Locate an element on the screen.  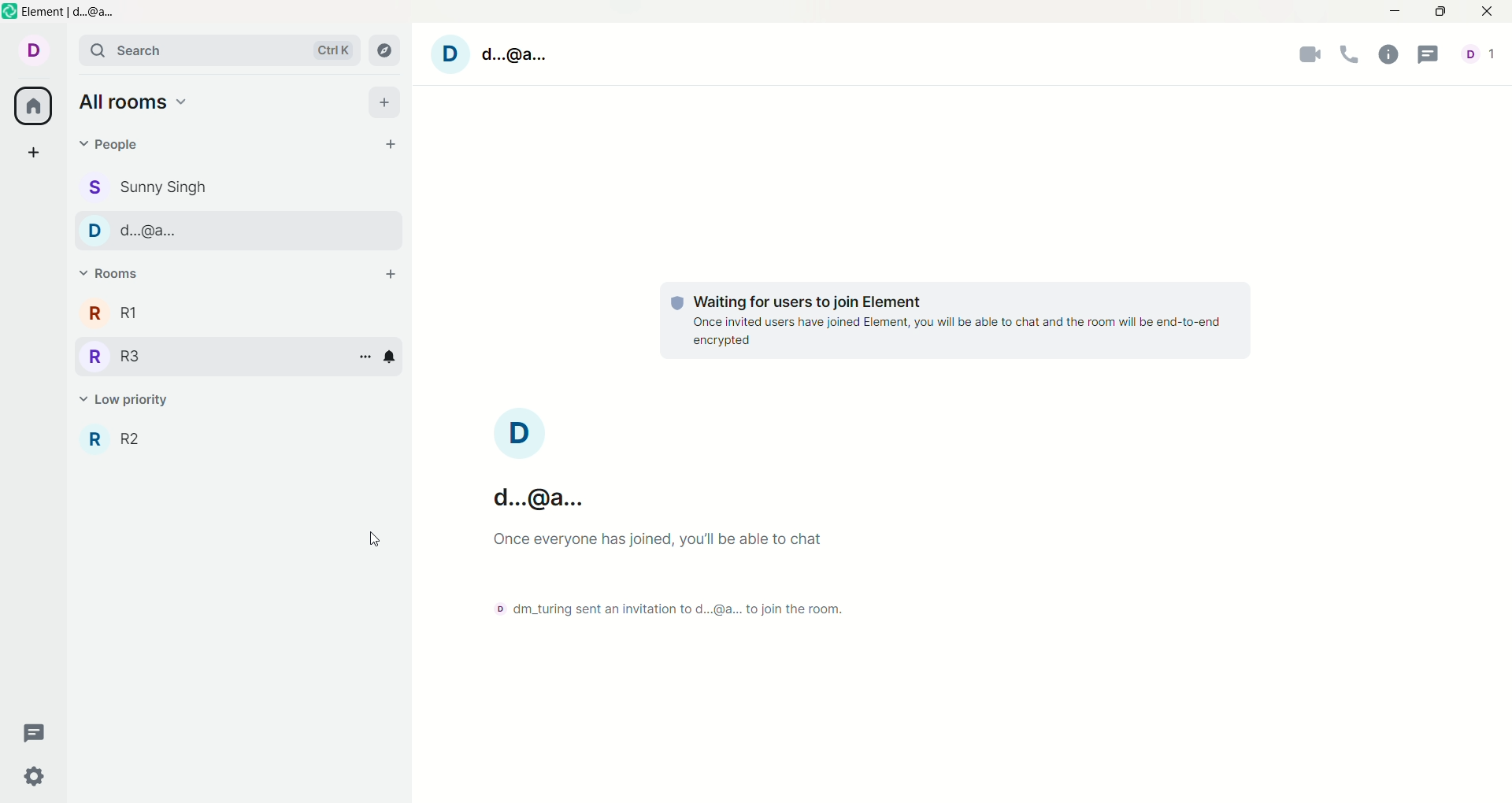
start chat is located at coordinates (393, 146).